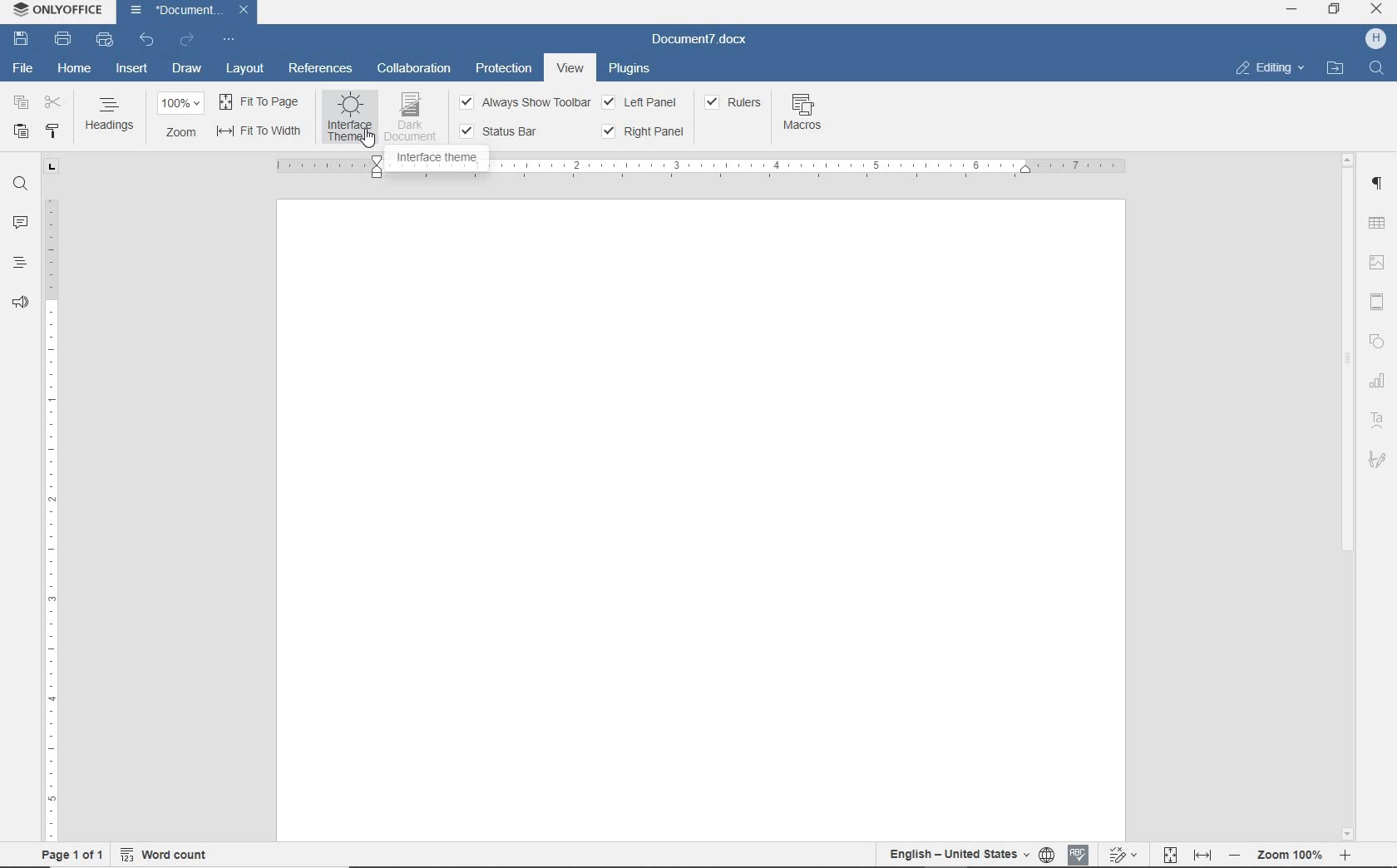 This screenshot has width=1397, height=868. What do you see at coordinates (1378, 382) in the screenshot?
I see `graph` at bounding box center [1378, 382].